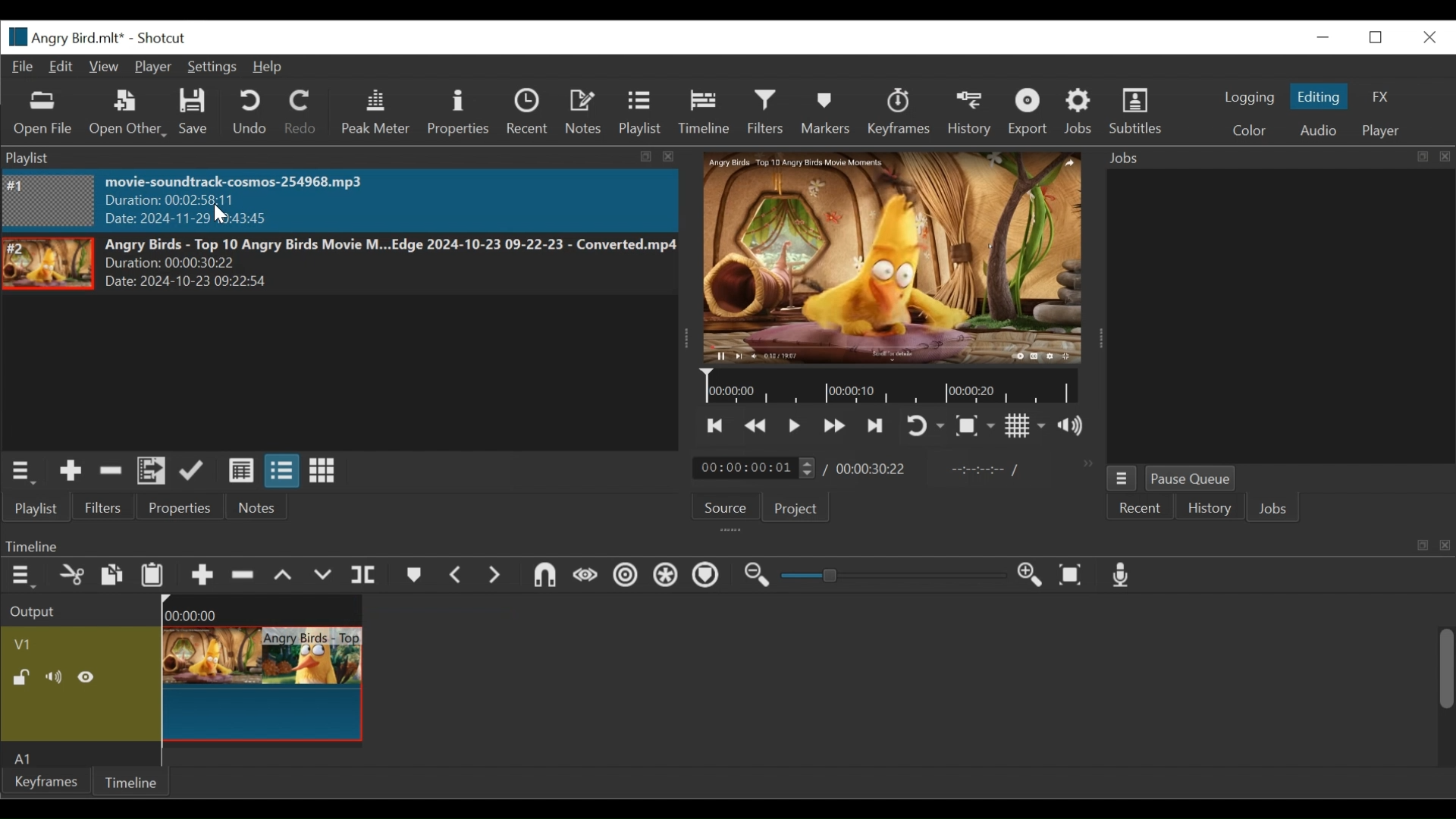 The height and width of the screenshot is (819, 1456). What do you see at coordinates (77, 644) in the screenshot?
I see `Video` at bounding box center [77, 644].